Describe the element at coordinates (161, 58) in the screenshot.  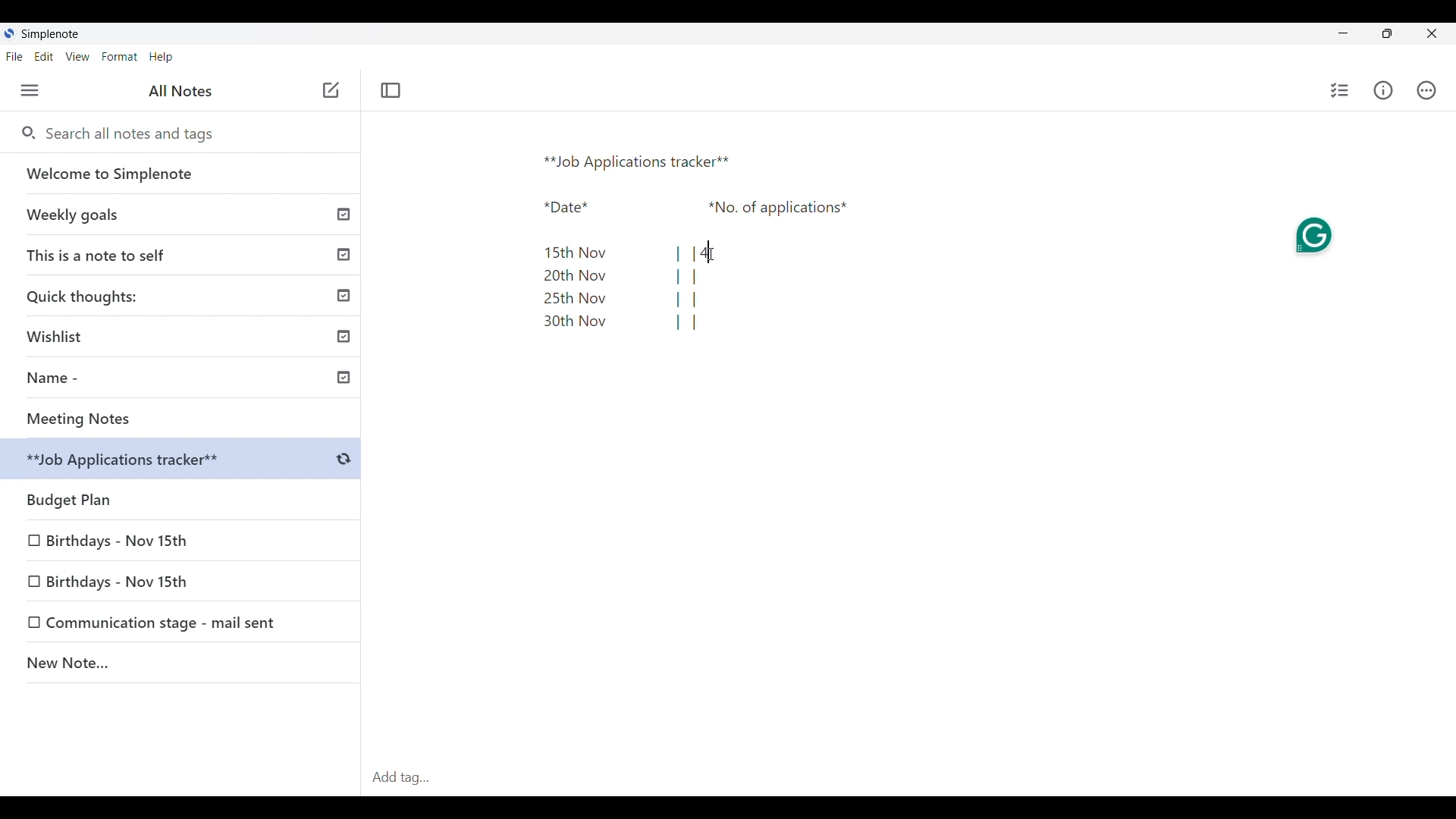
I see `Help` at that location.